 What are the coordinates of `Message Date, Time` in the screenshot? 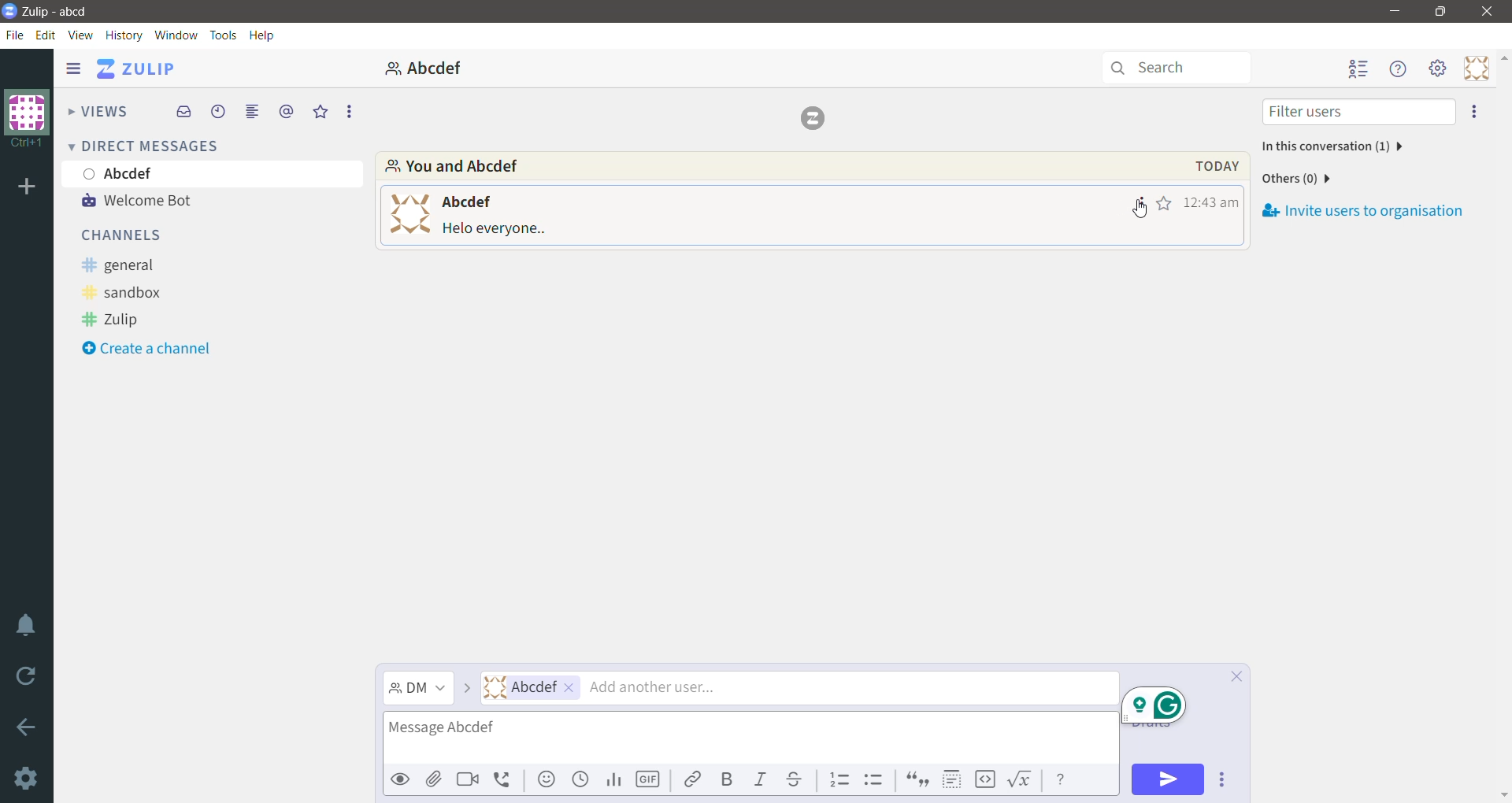 It's located at (1209, 166).